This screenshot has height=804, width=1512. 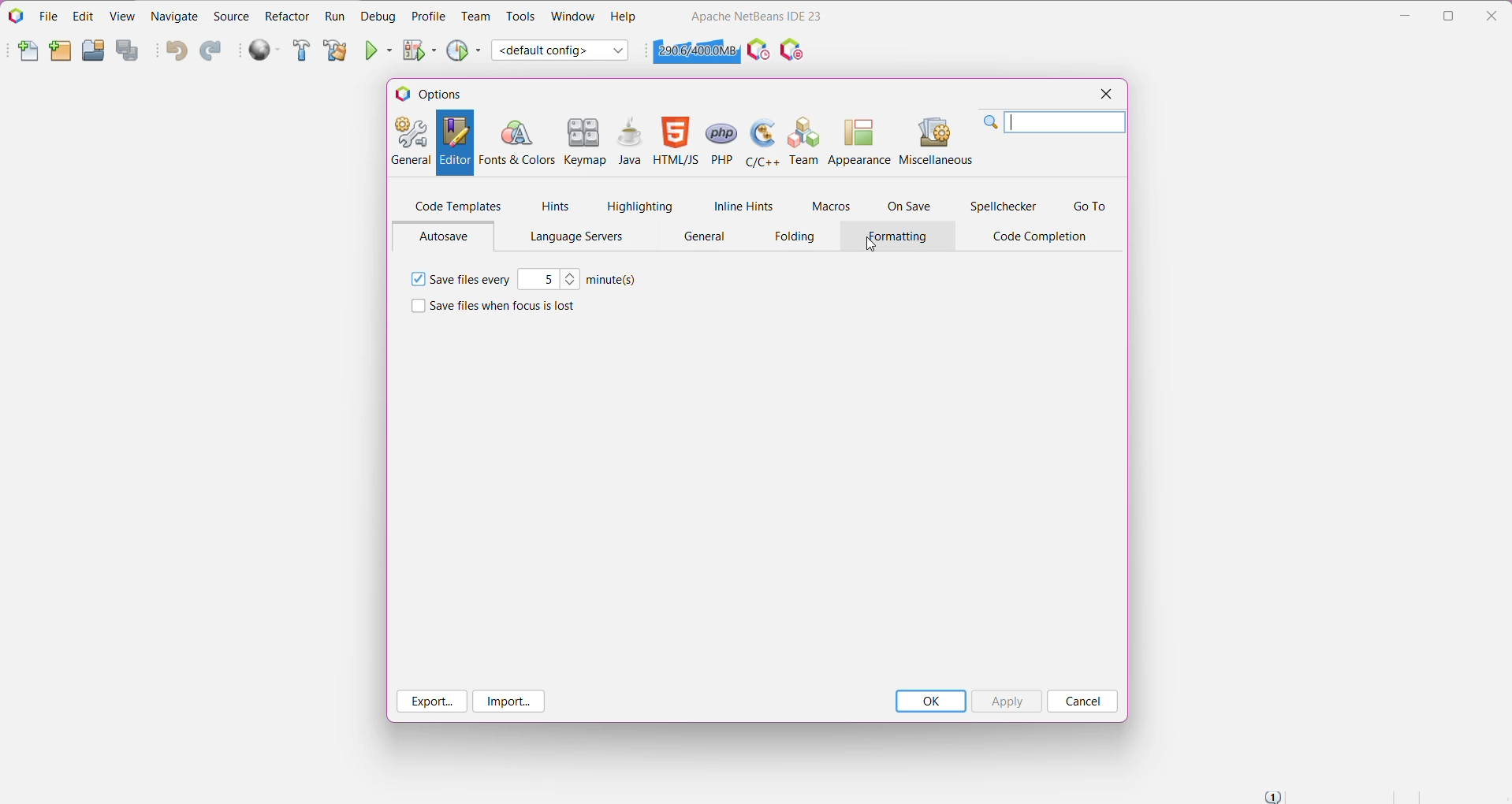 What do you see at coordinates (676, 143) in the screenshot?
I see `HTML/JS` at bounding box center [676, 143].